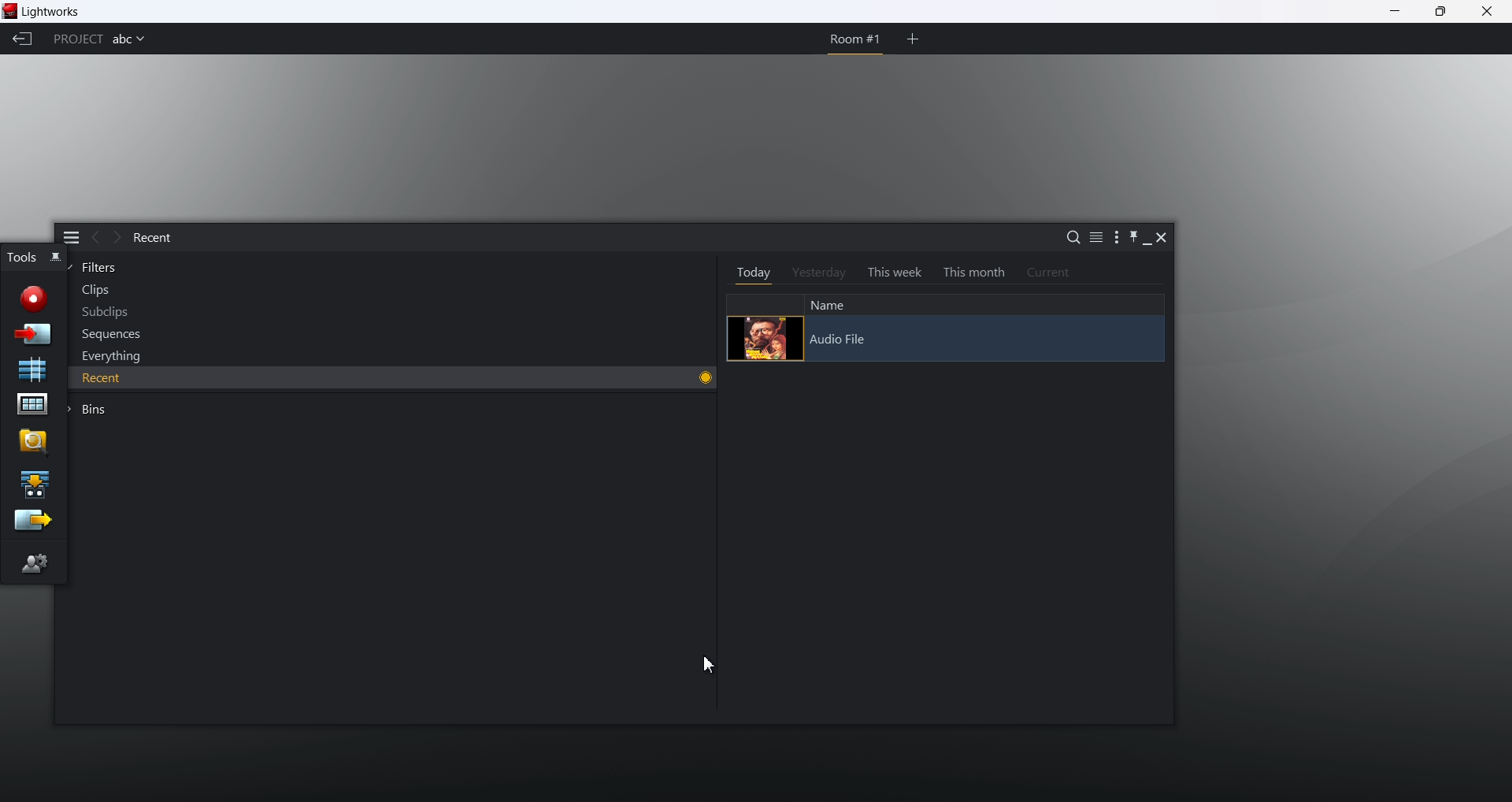 The image size is (1512, 802). What do you see at coordinates (1164, 241) in the screenshot?
I see `close dialog` at bounding box center [1164, 241].